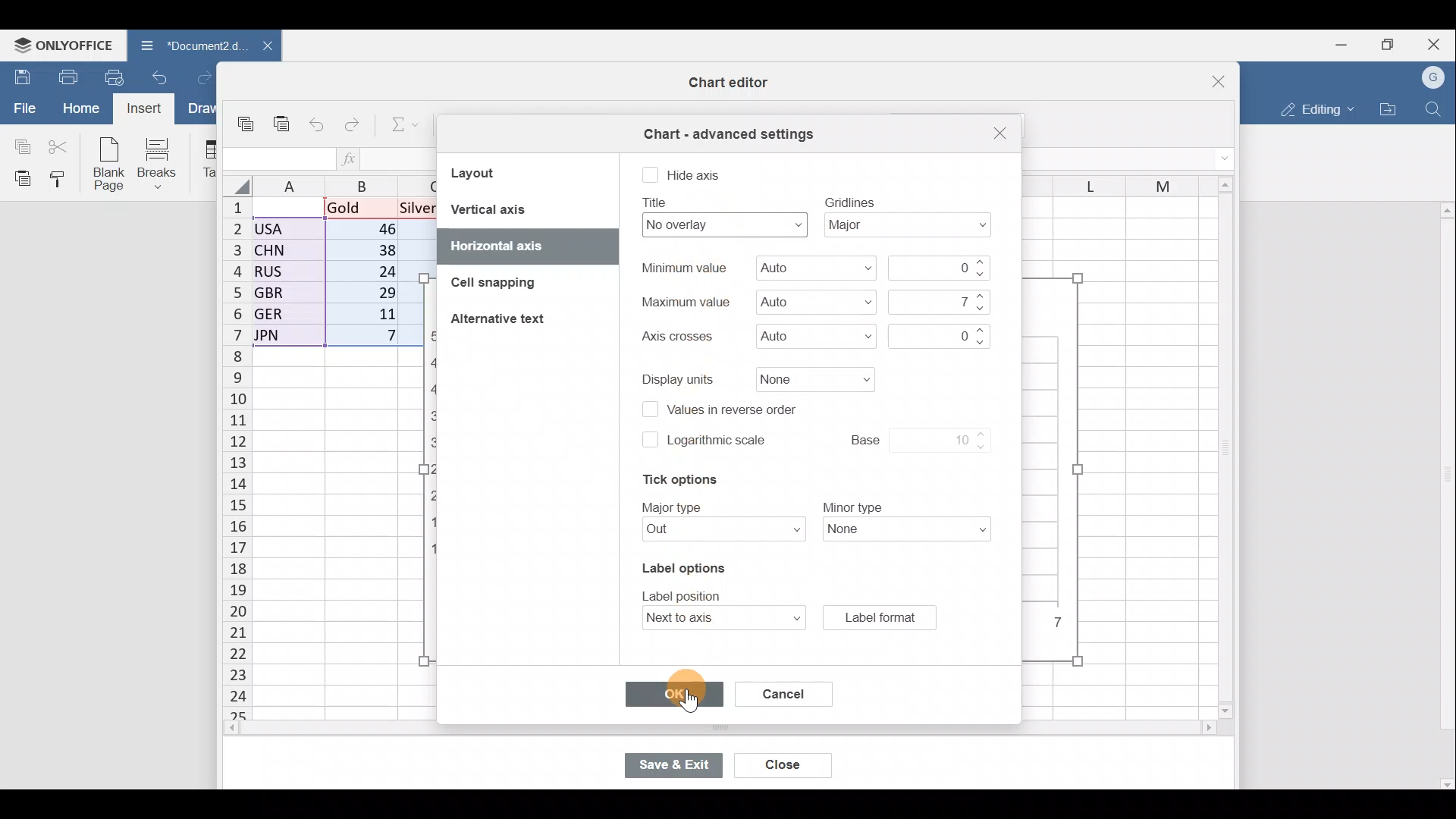 This screenshot has height=819, width=1456. I want to click on Cursor on Insert, so click(142, 108).